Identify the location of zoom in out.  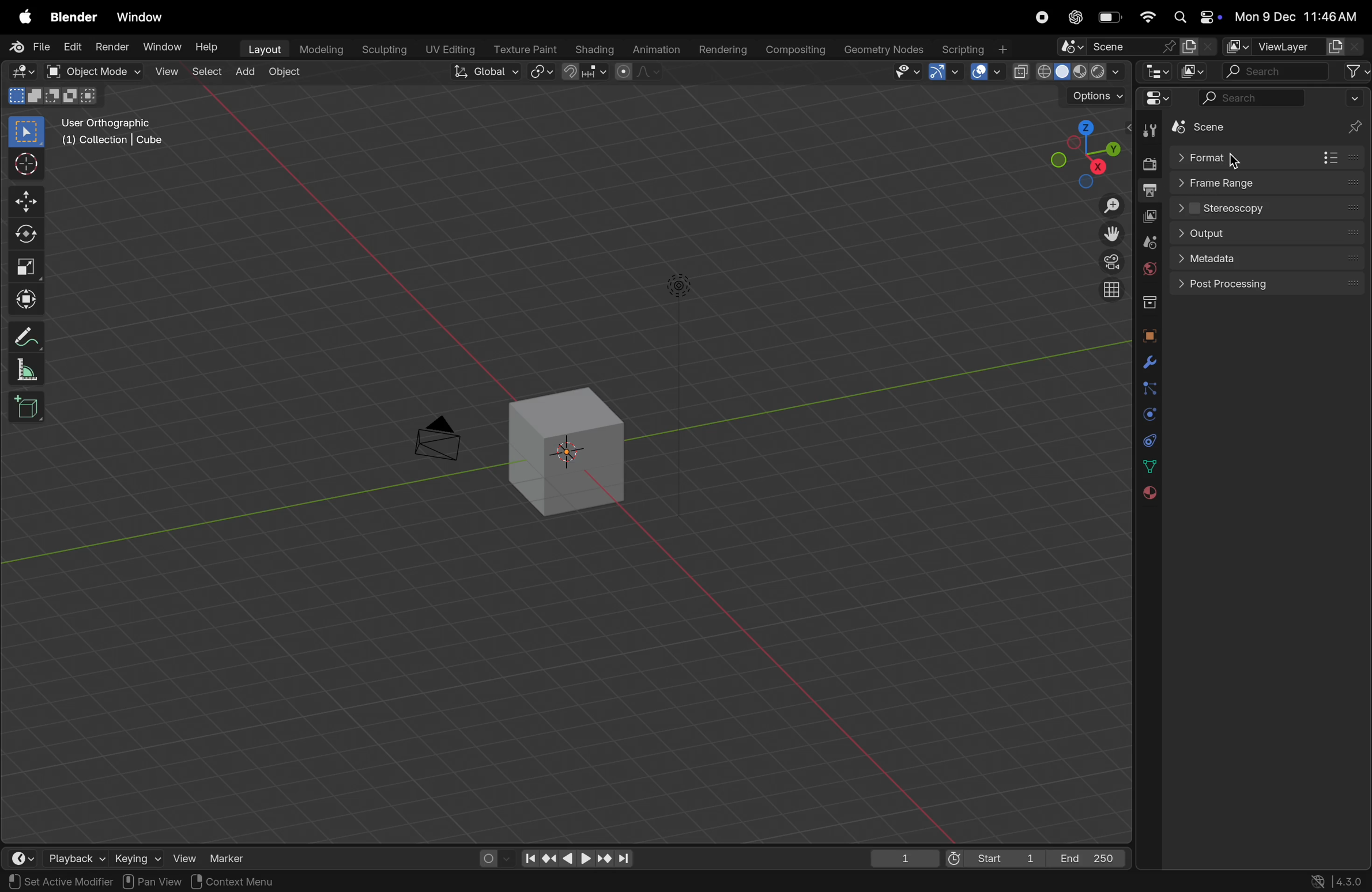
(1106, 206).